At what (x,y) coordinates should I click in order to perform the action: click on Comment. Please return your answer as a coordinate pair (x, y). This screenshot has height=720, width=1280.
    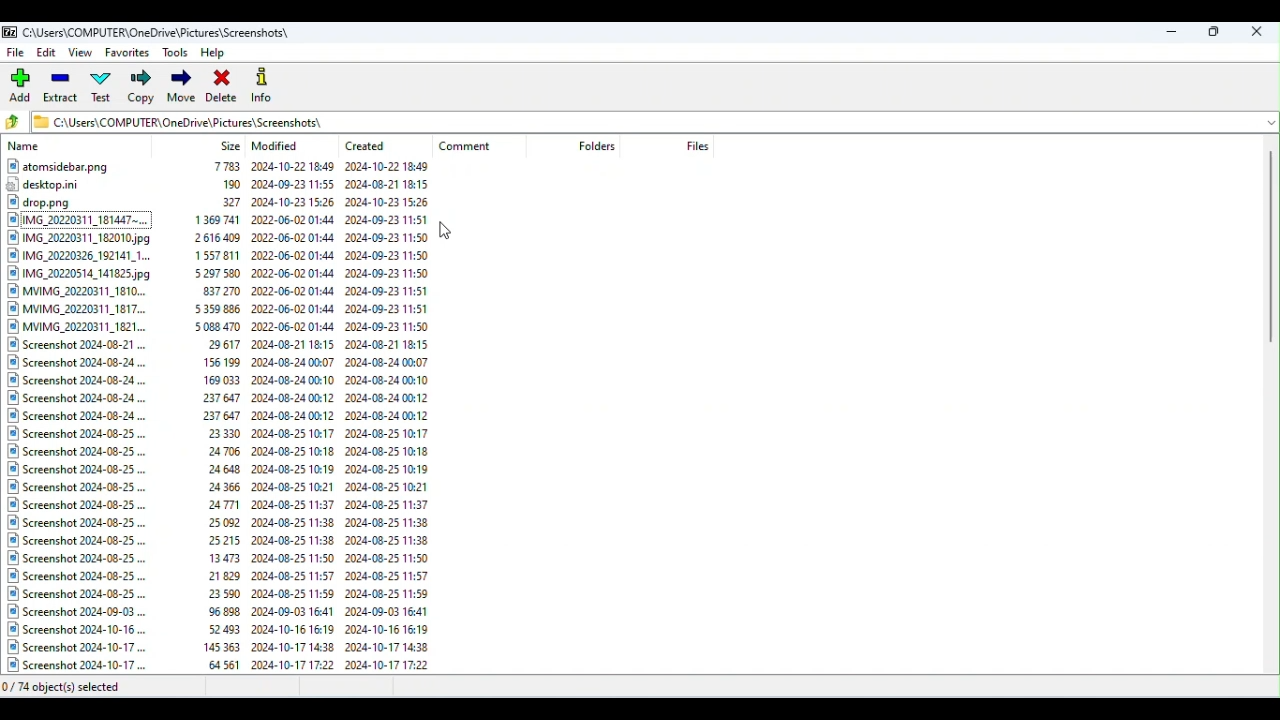
    Looking at the image, I should click on (474, 146).